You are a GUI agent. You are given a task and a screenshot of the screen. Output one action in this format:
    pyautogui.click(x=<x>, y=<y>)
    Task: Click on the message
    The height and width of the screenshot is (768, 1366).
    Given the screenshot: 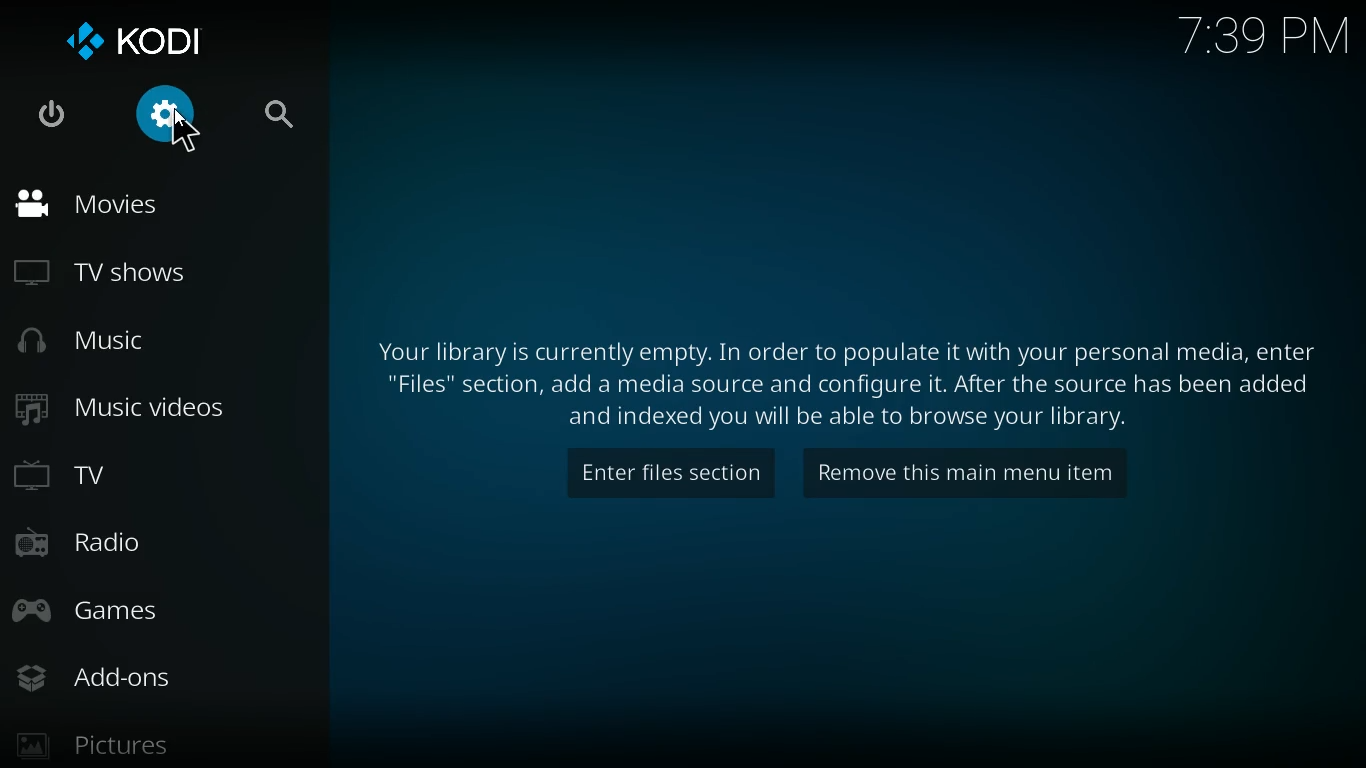 What is the action you would take?
    pyautogui.click(x=852, y=385)
    